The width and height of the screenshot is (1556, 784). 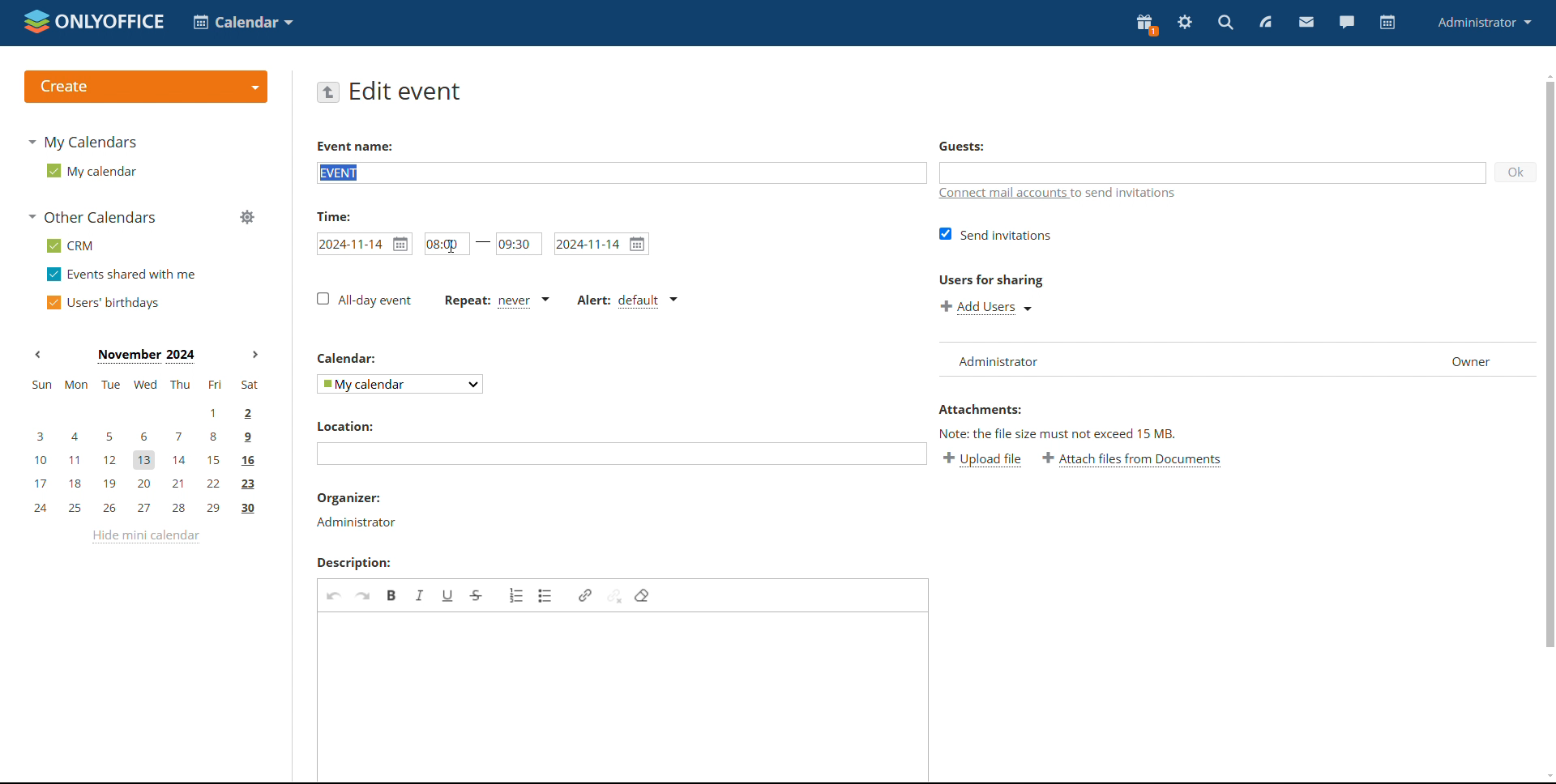 I want to click on end time, so click(x=519, y=244).